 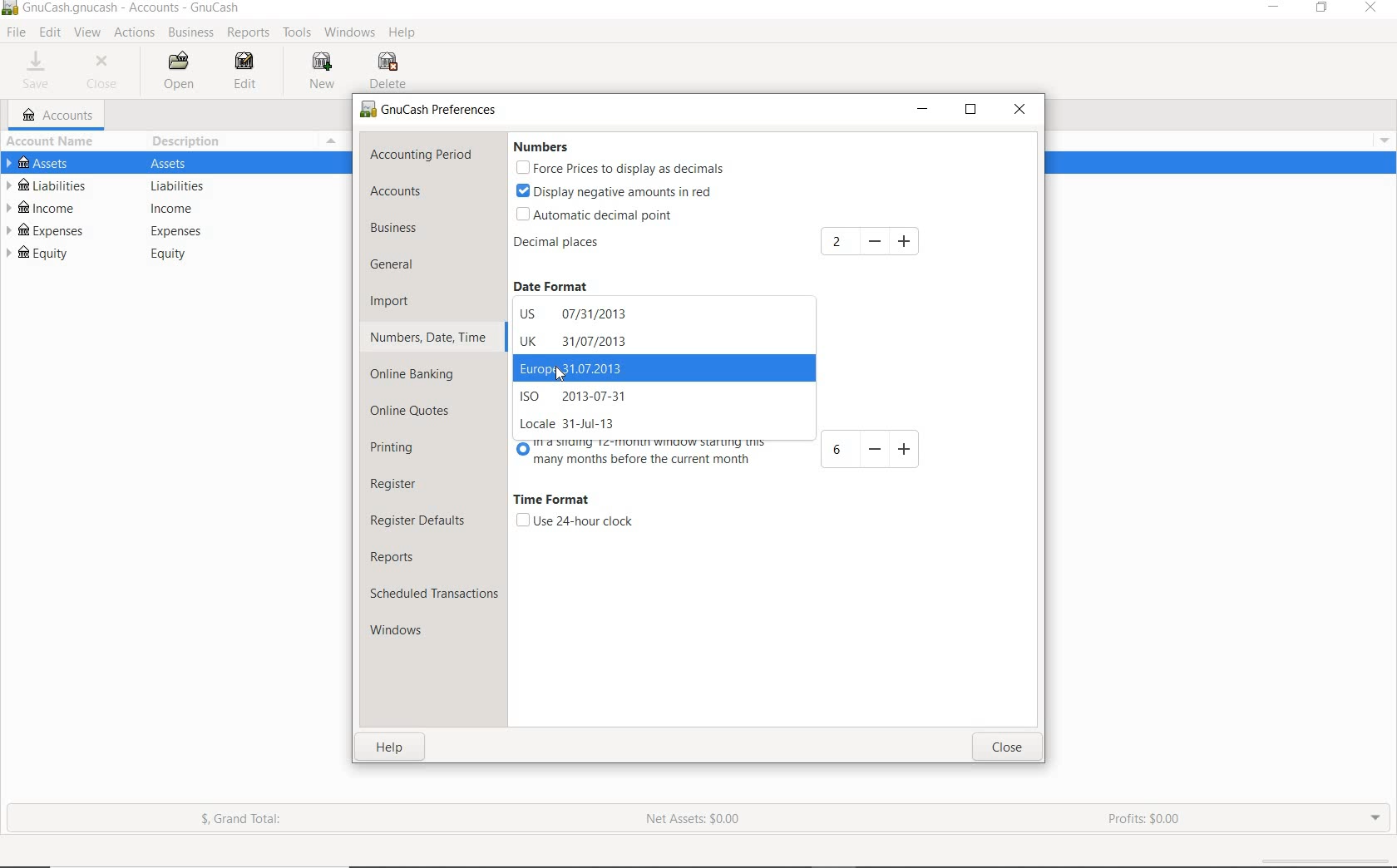 What do you see at coordinates (420, 520) in the screenshot?
I see `register defaults` at bounding box center [420, 520].